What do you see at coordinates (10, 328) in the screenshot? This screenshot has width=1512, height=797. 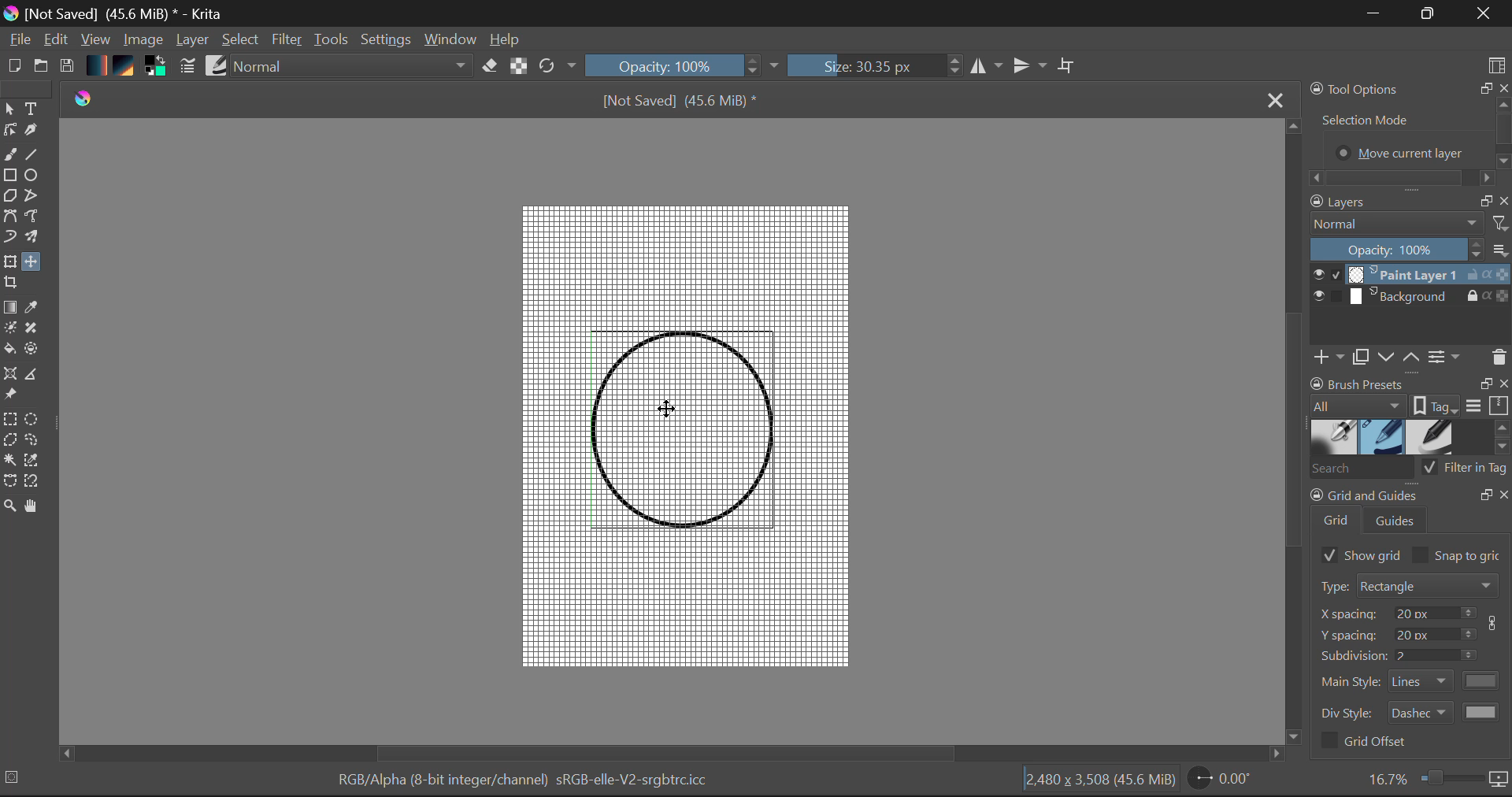 I see `Colorize Mask Tool` at bounding box center [10, 328].